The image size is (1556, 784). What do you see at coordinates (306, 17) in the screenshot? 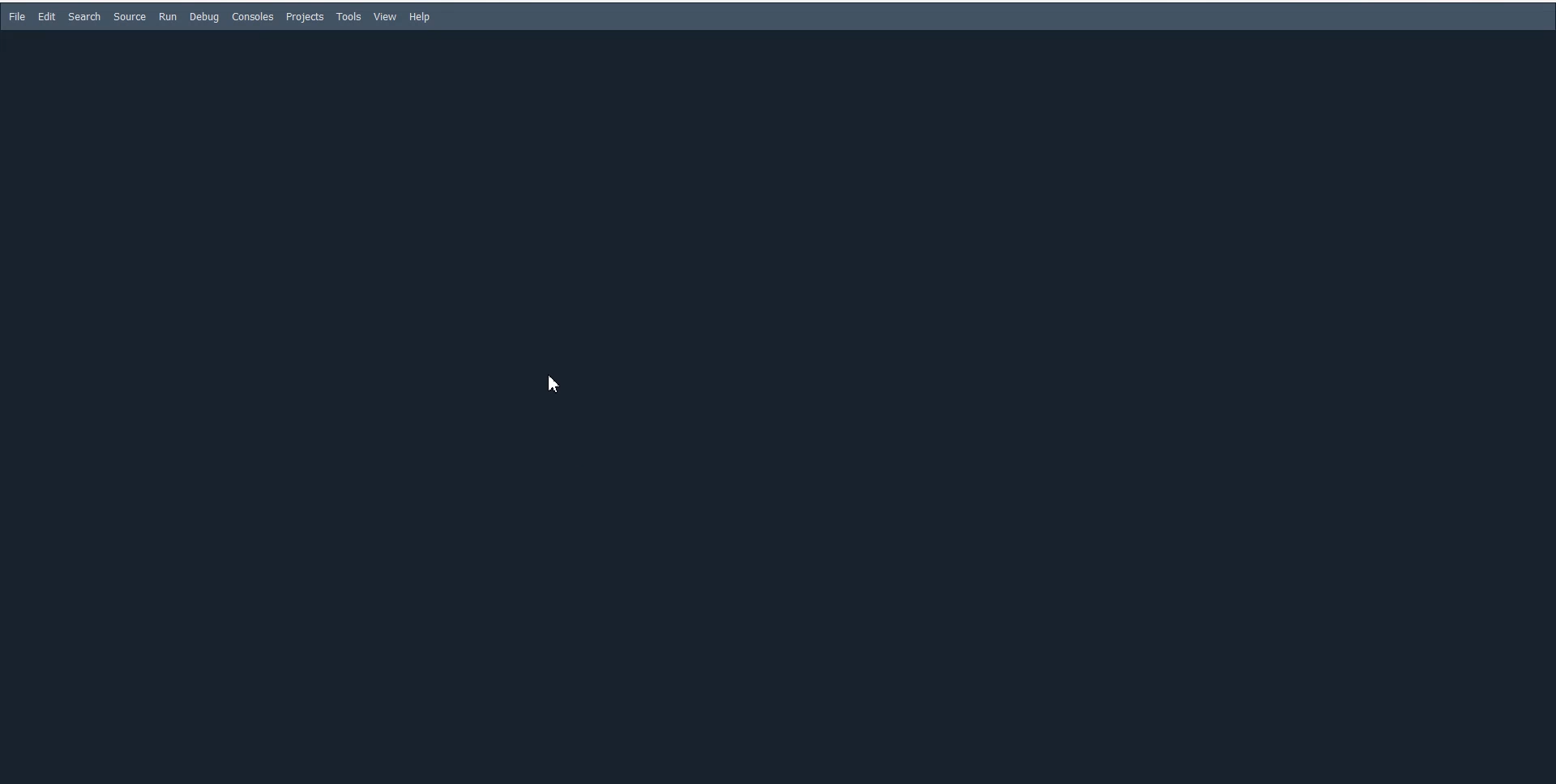
I see `Projects` at bounding box center [306, 17].